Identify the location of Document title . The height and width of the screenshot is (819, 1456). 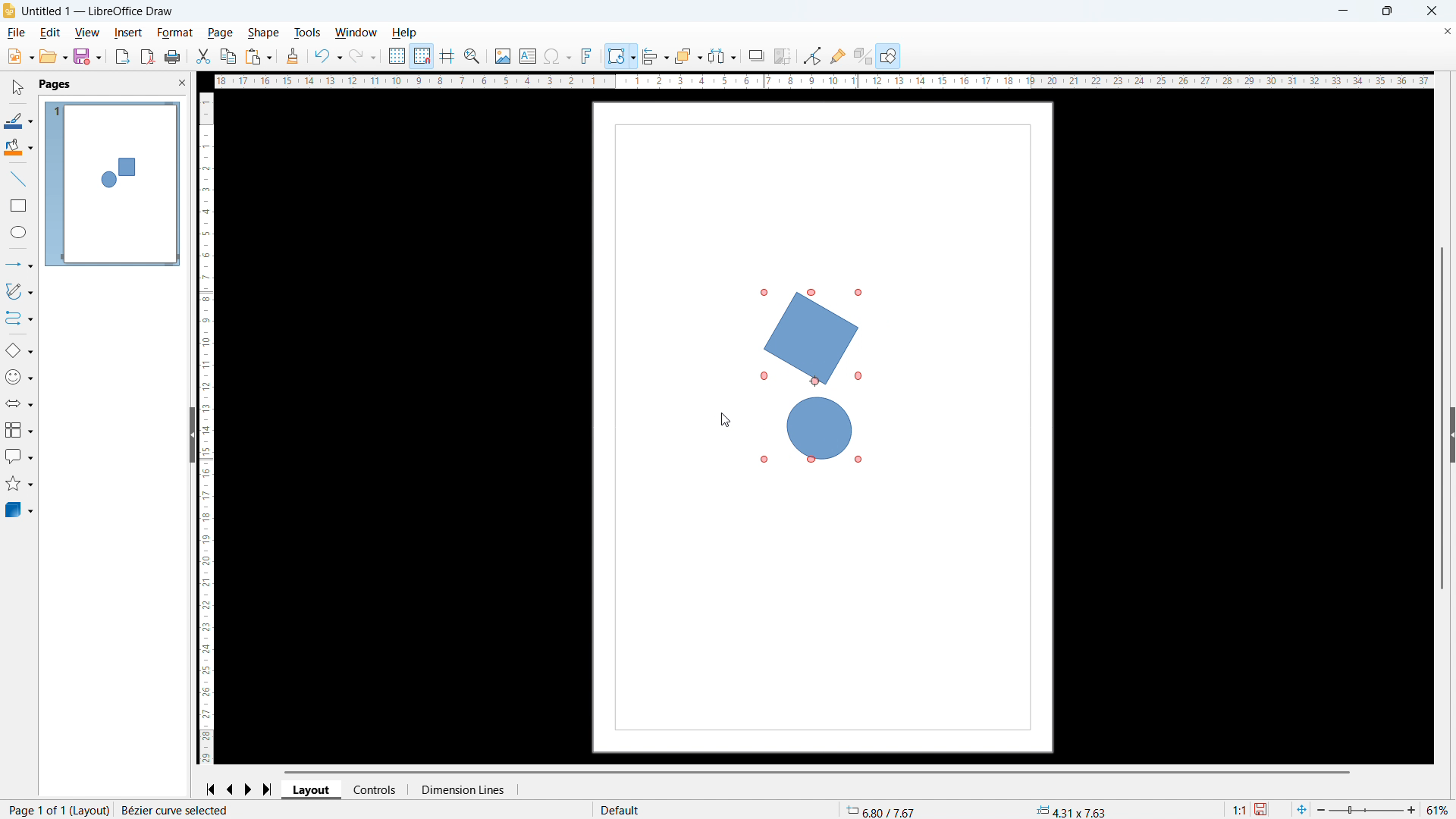
(98, 11).